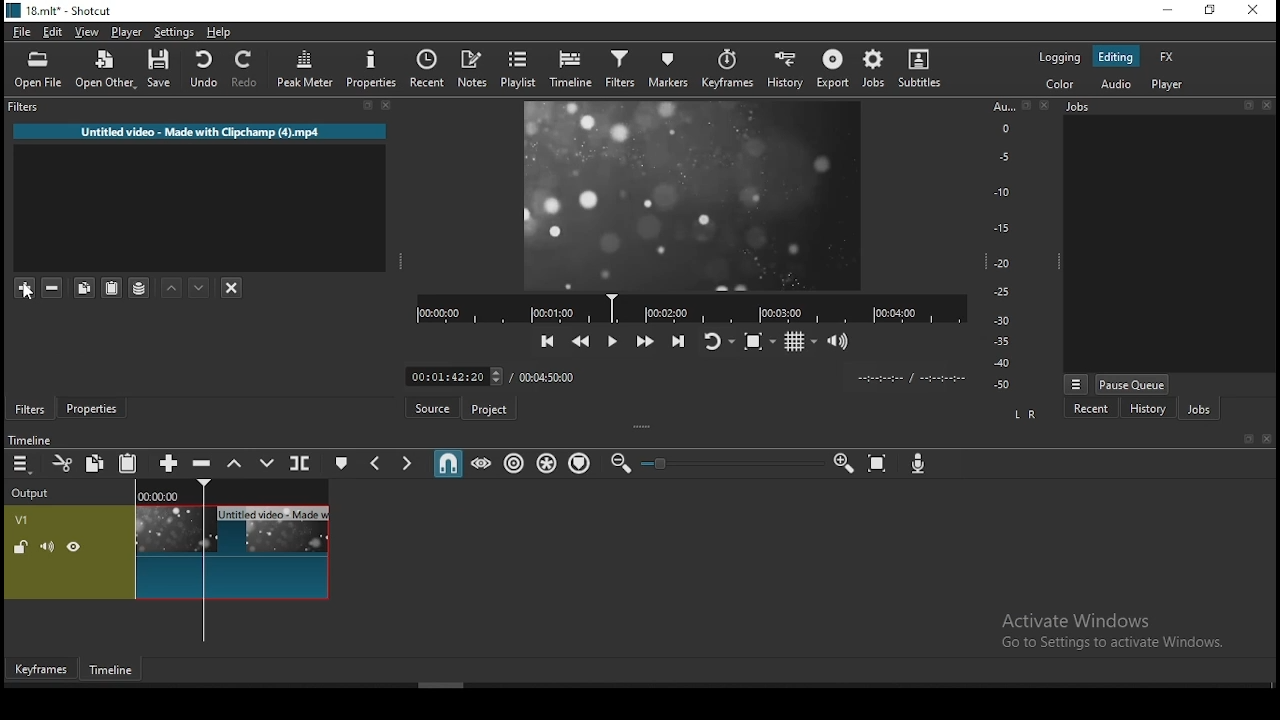 The width and height of the screenshot is (1280, 720). I want to click on peak meter, so click(305, 68).